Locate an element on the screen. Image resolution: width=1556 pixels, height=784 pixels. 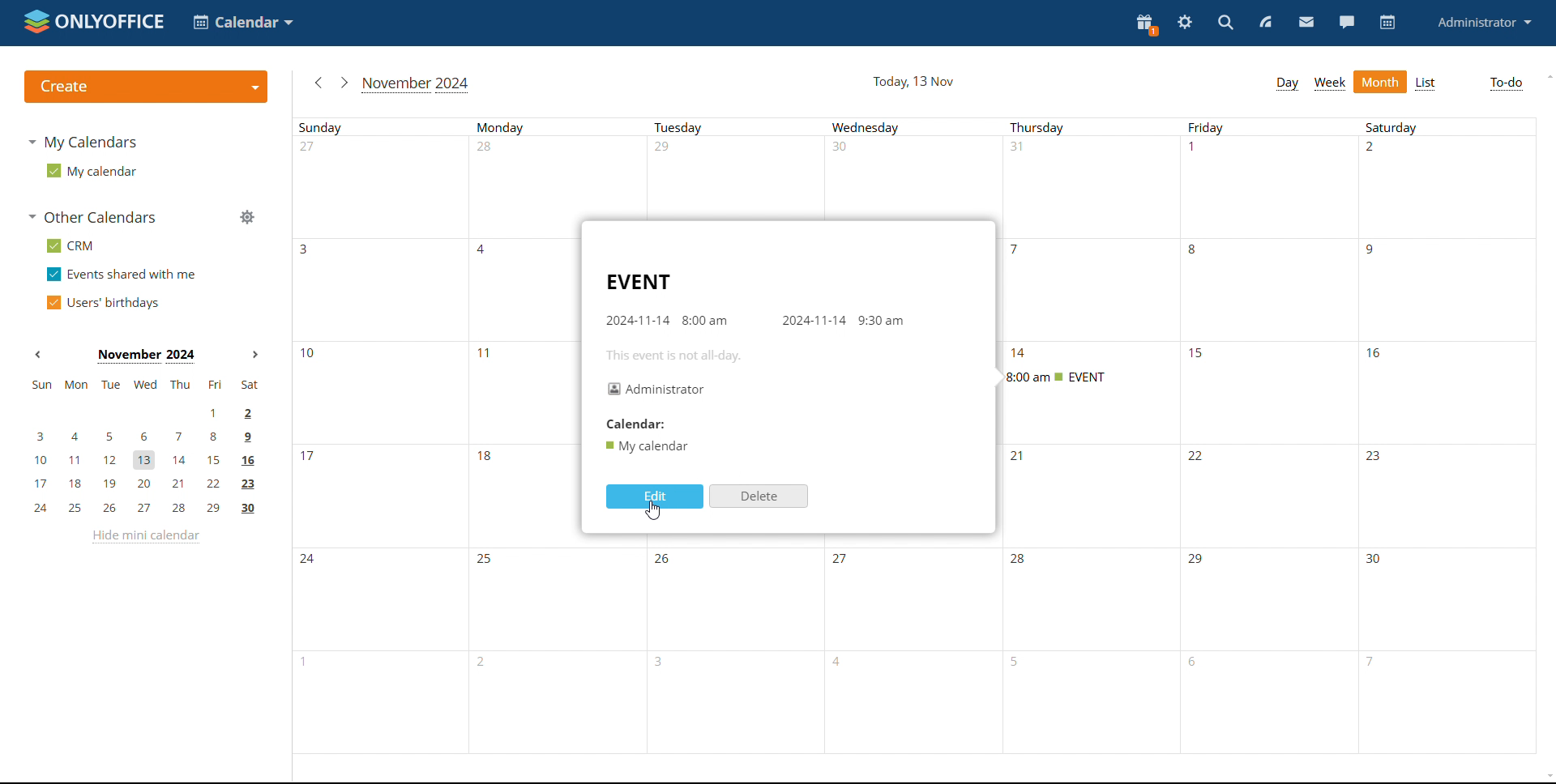
dates of the month is located at coordinates (1357, 392).